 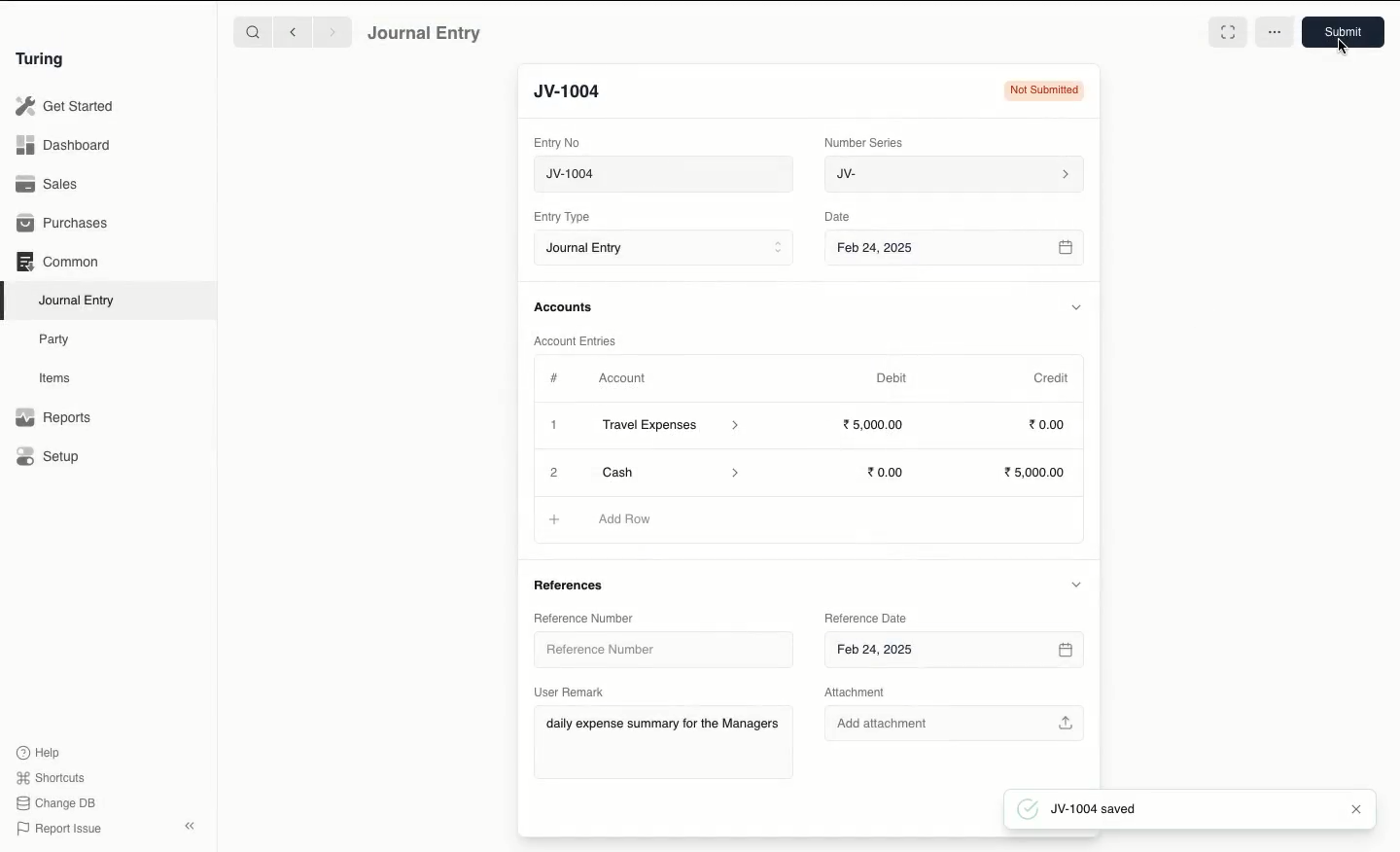 What do you see at coordinates (1075, 306) in the screenshot?
I see `Hide` at bounding box center [1075, 306].